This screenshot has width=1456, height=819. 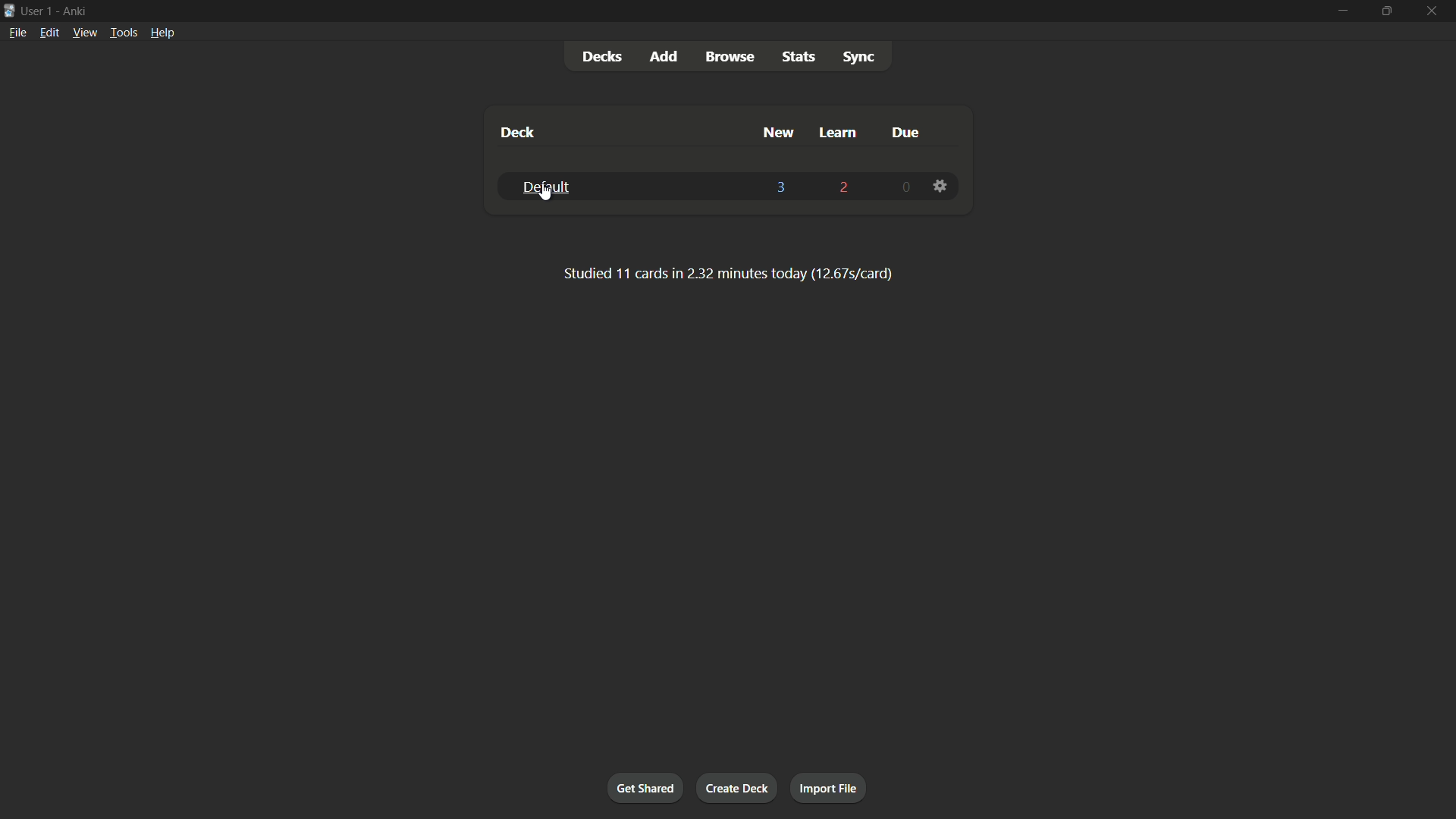 I want to click on browse, so click(x=730, y=58).